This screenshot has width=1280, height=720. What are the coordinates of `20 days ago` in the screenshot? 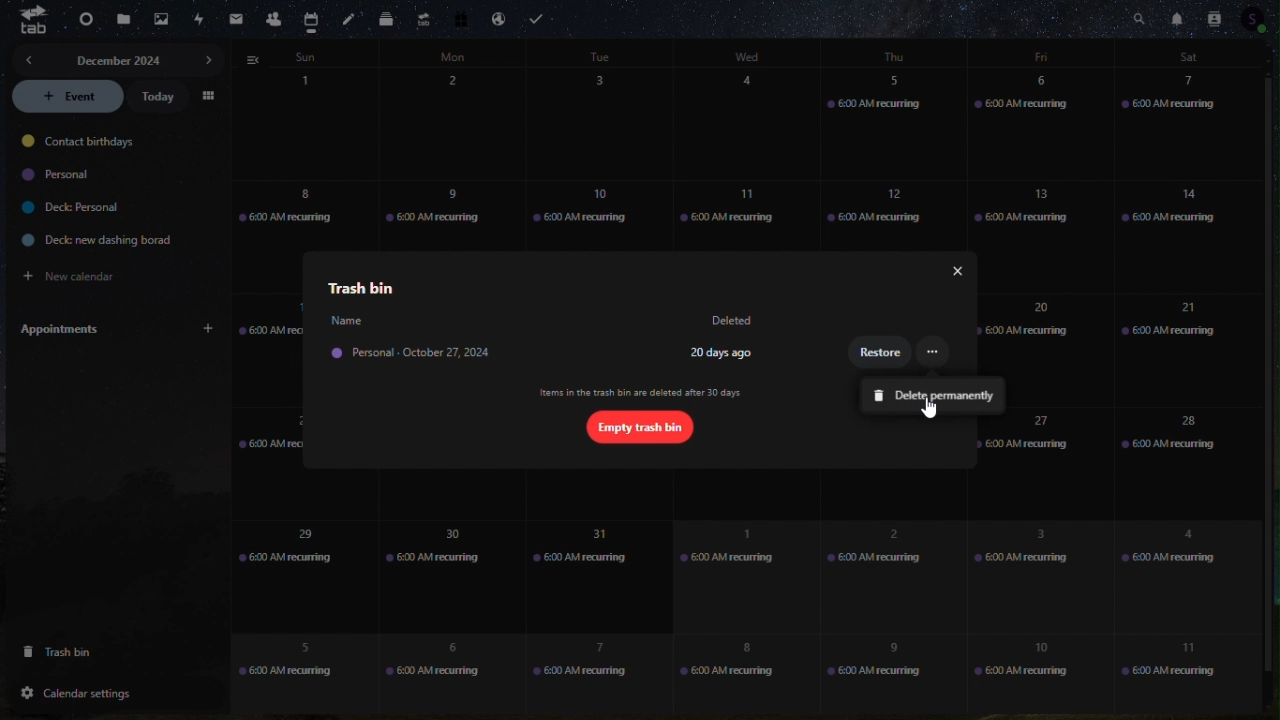 It's located at (723, 352).